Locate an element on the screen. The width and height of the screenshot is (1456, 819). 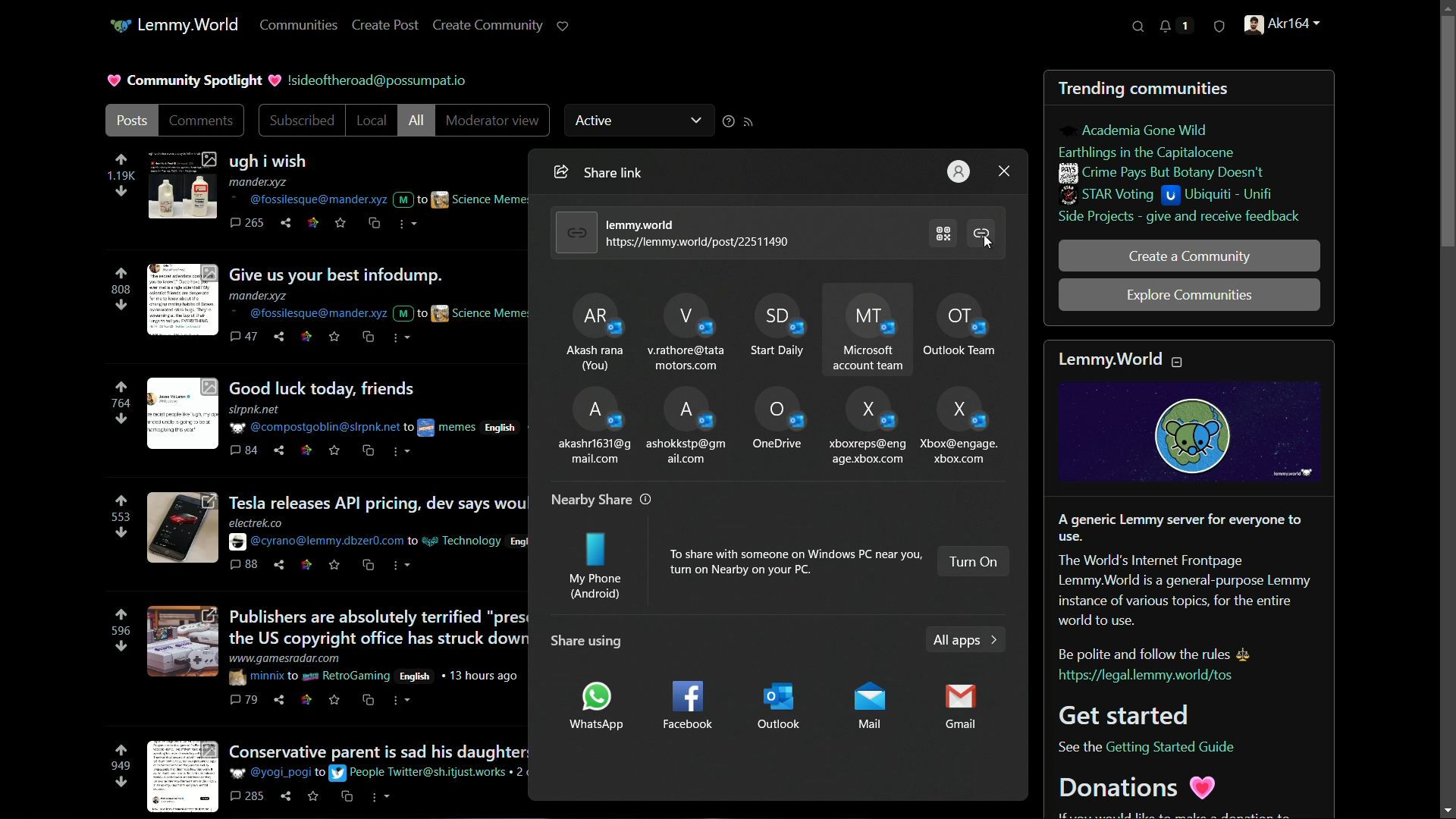
profile is located at coordinates (959, 171).